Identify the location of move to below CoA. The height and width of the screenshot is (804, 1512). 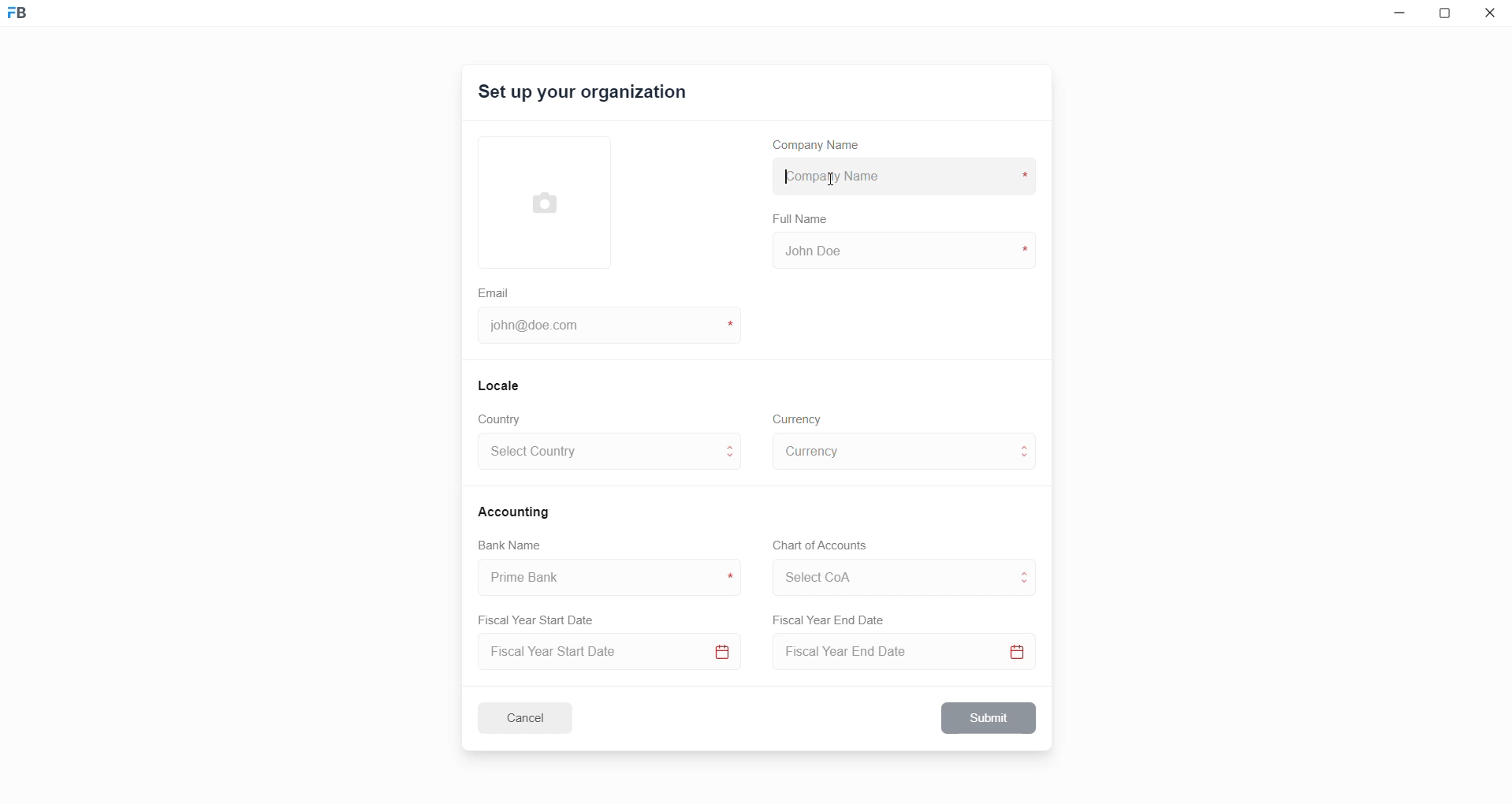
(1026, 585).